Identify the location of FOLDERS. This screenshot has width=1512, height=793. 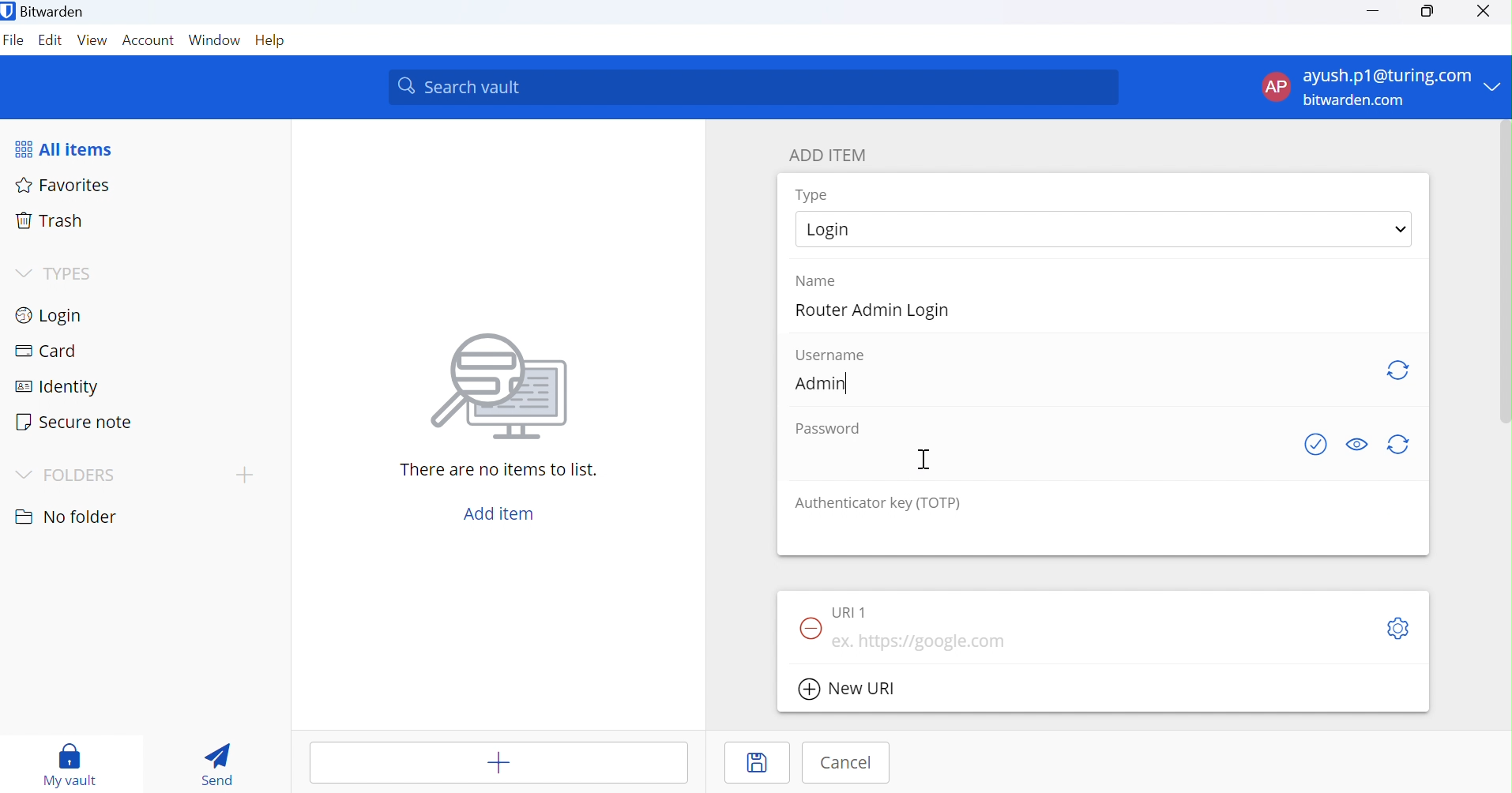
(70, 472).